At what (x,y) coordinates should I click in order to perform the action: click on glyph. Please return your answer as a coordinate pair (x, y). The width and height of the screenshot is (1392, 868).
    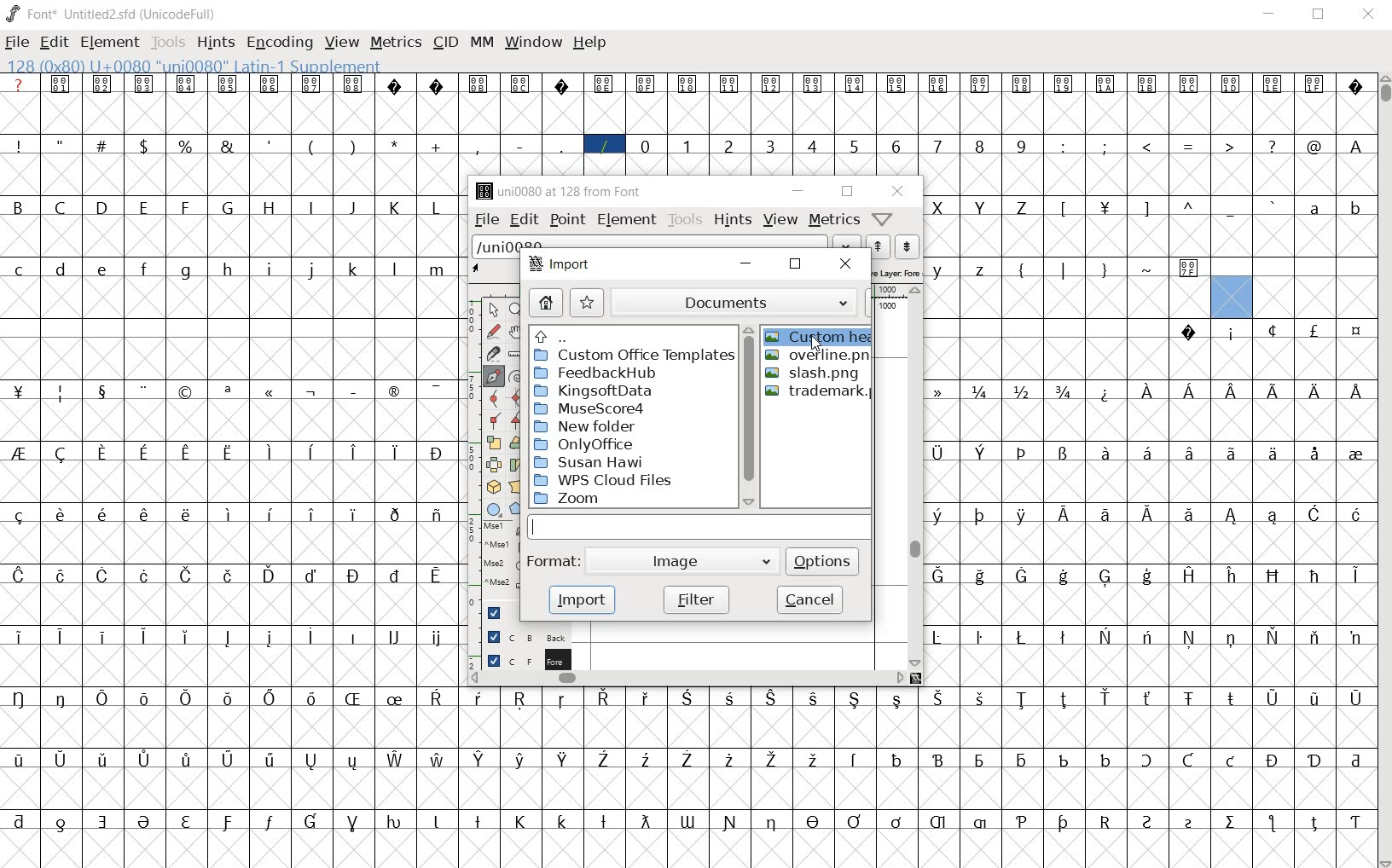
    Looking at the image, I should click on (1022, 84).